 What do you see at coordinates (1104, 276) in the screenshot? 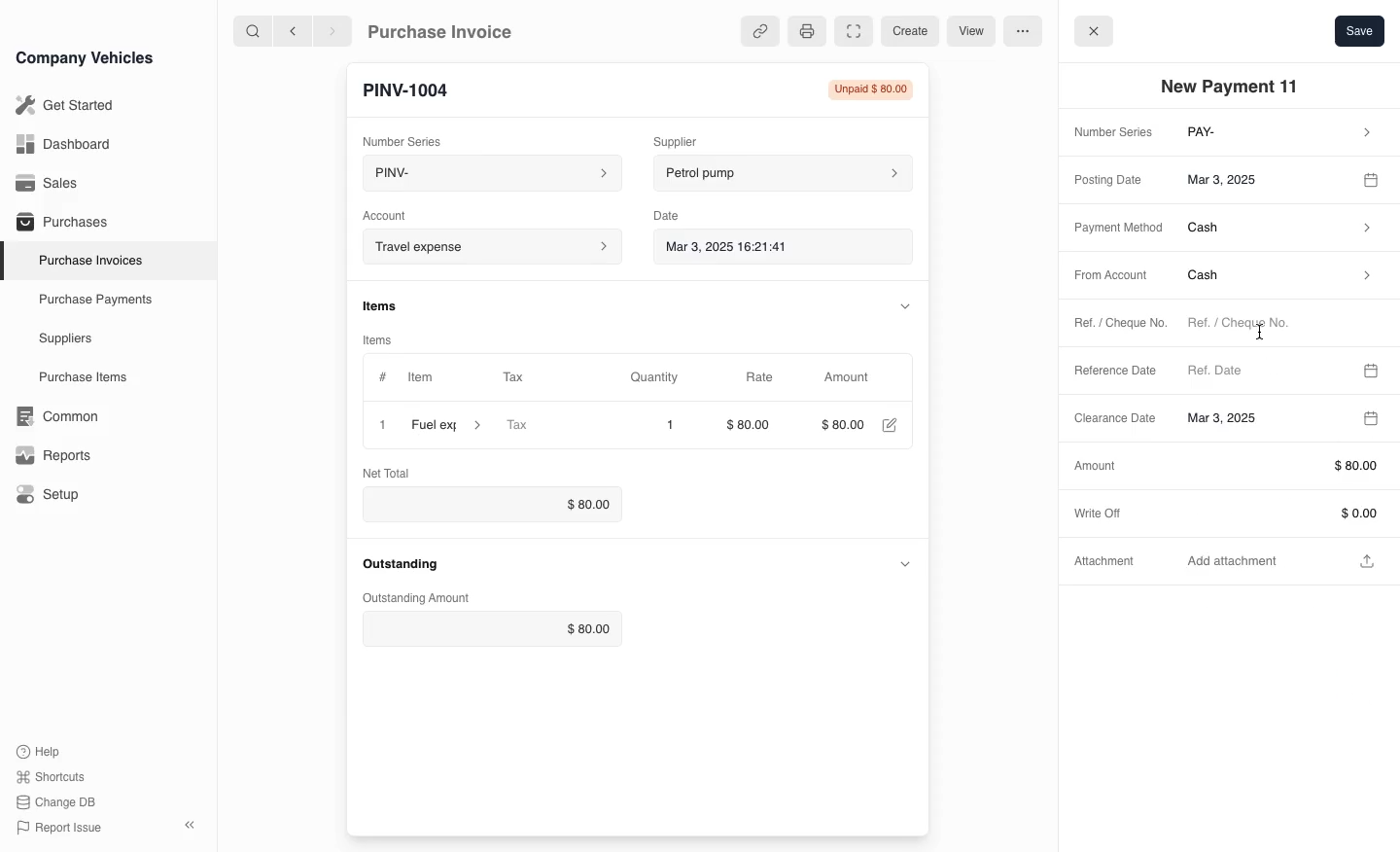
I see `From Account` at bounding box center [1104, 276].